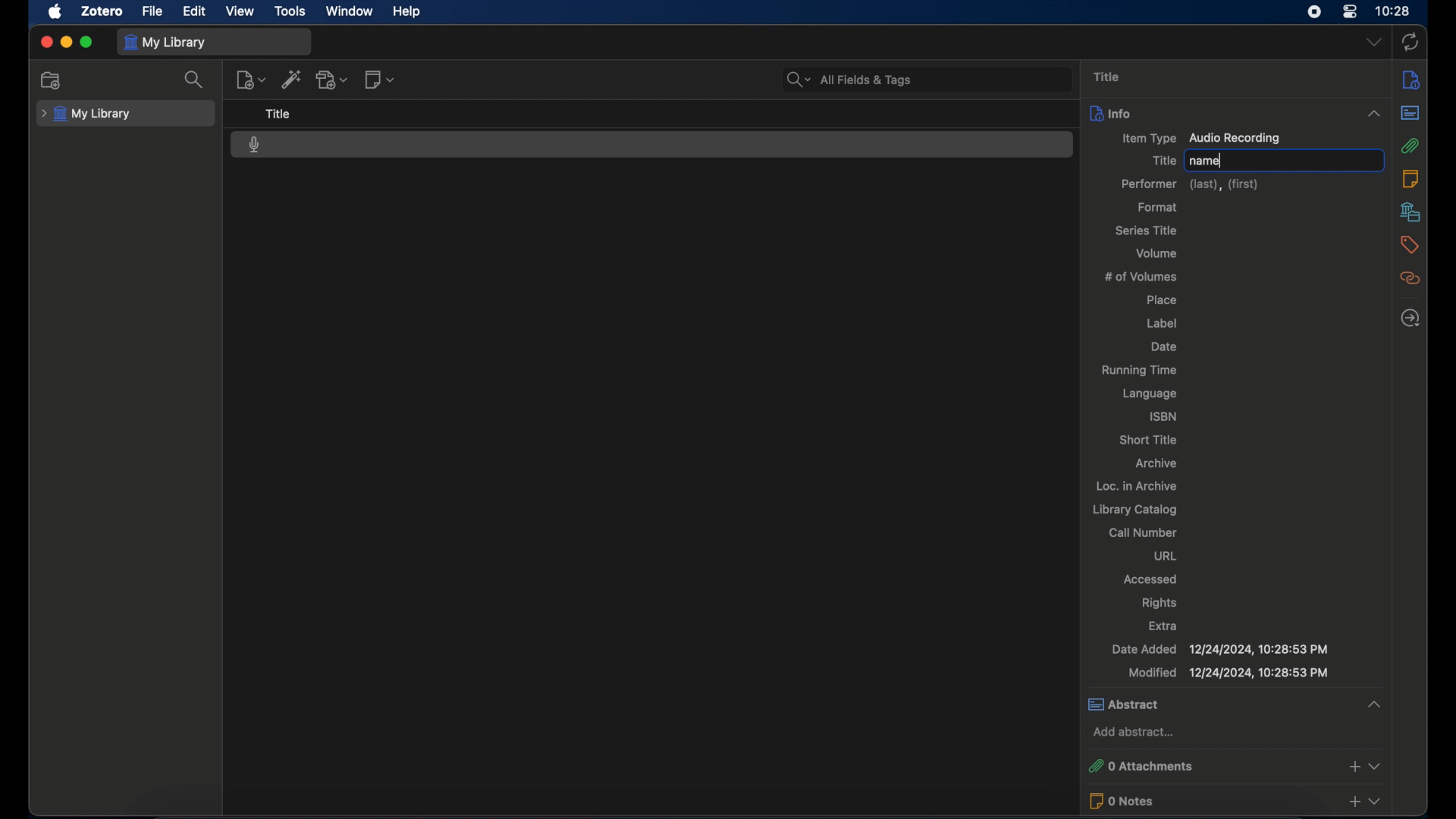 The height and width of the screenshot is (819, 1456). What do you see at coordinates (1165, 557) in the screenshot?
I see `url` at bounding box center [1165, 557].